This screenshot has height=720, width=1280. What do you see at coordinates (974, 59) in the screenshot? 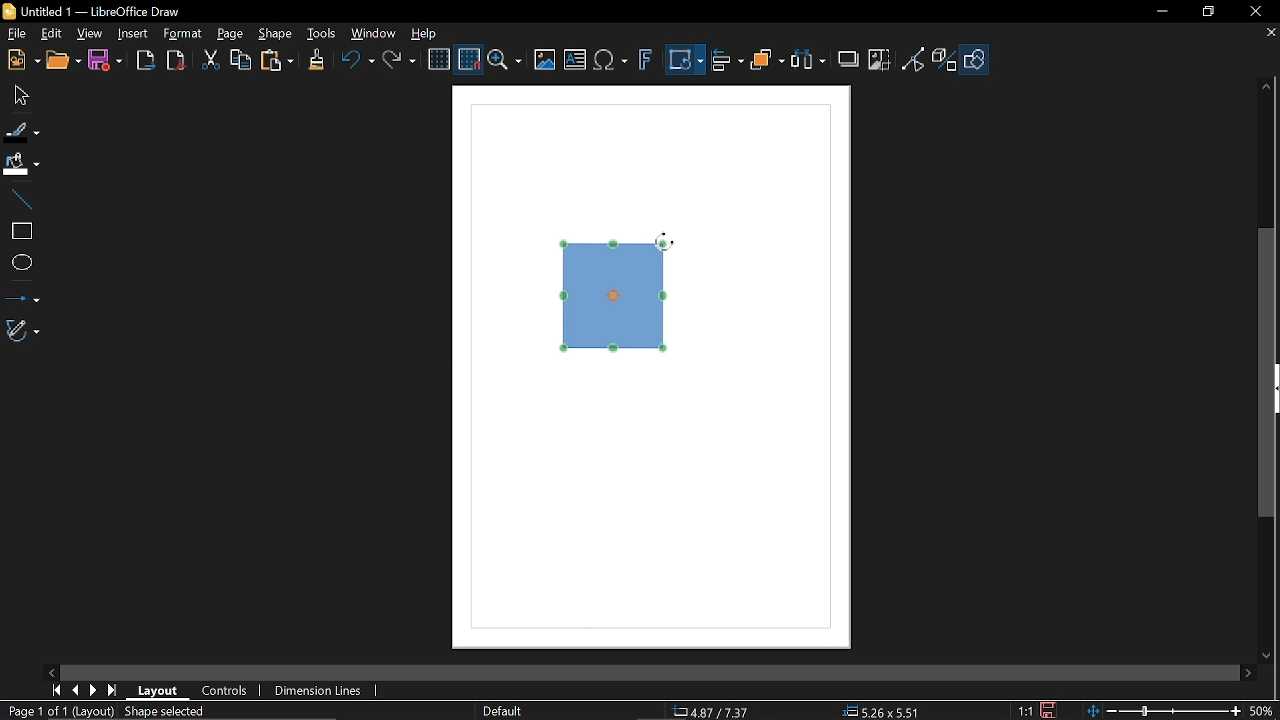
I see `Shapes` at bounding box center [974, 59].